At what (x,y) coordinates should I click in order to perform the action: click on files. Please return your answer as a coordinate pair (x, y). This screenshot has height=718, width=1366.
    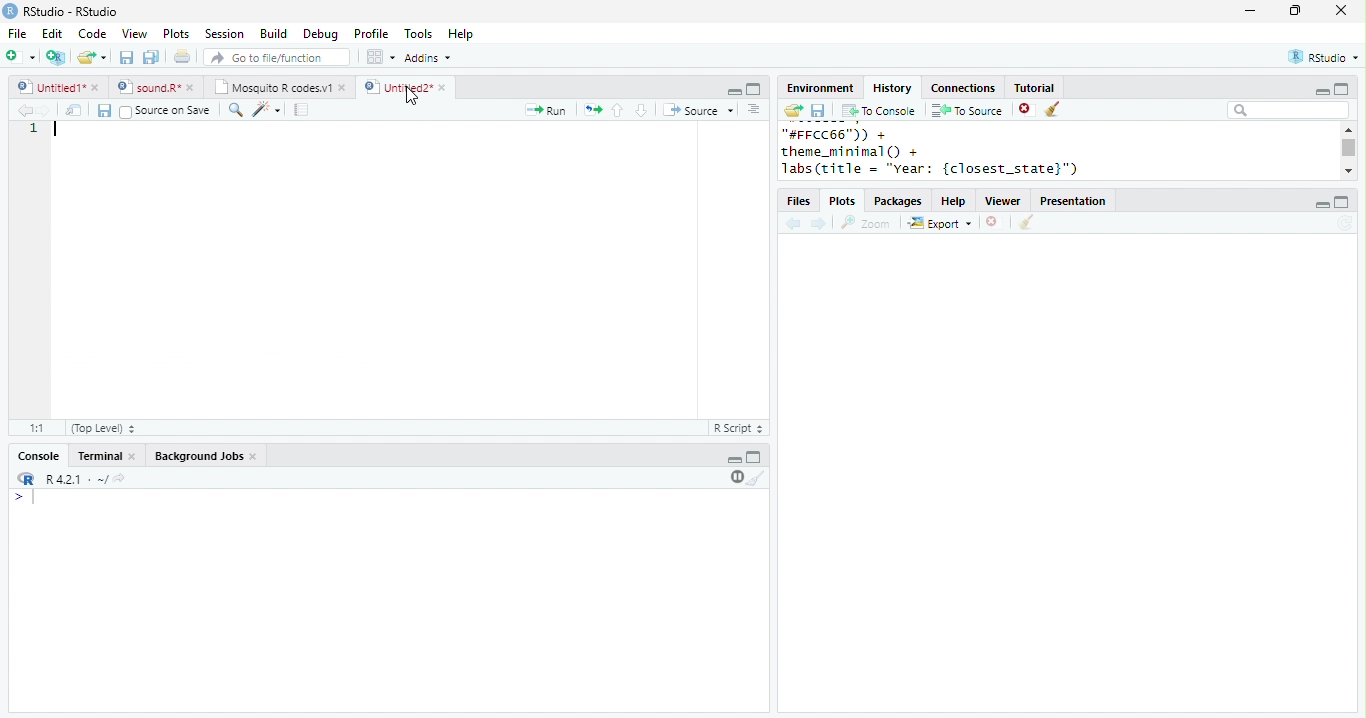
    Looking at the image, I should click on (800, 202).